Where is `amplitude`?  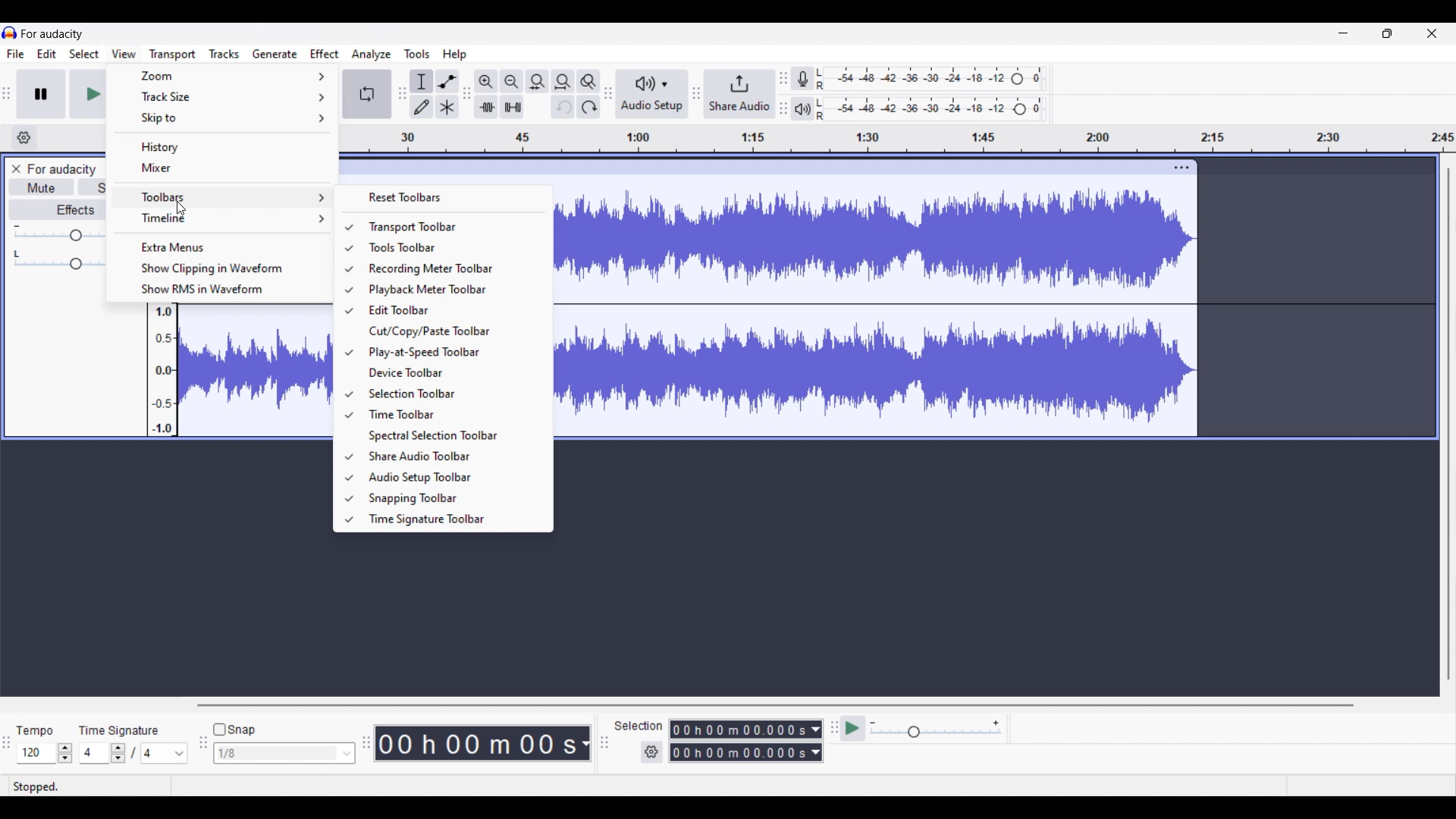 amplitude is located at coordinates (161, 372).